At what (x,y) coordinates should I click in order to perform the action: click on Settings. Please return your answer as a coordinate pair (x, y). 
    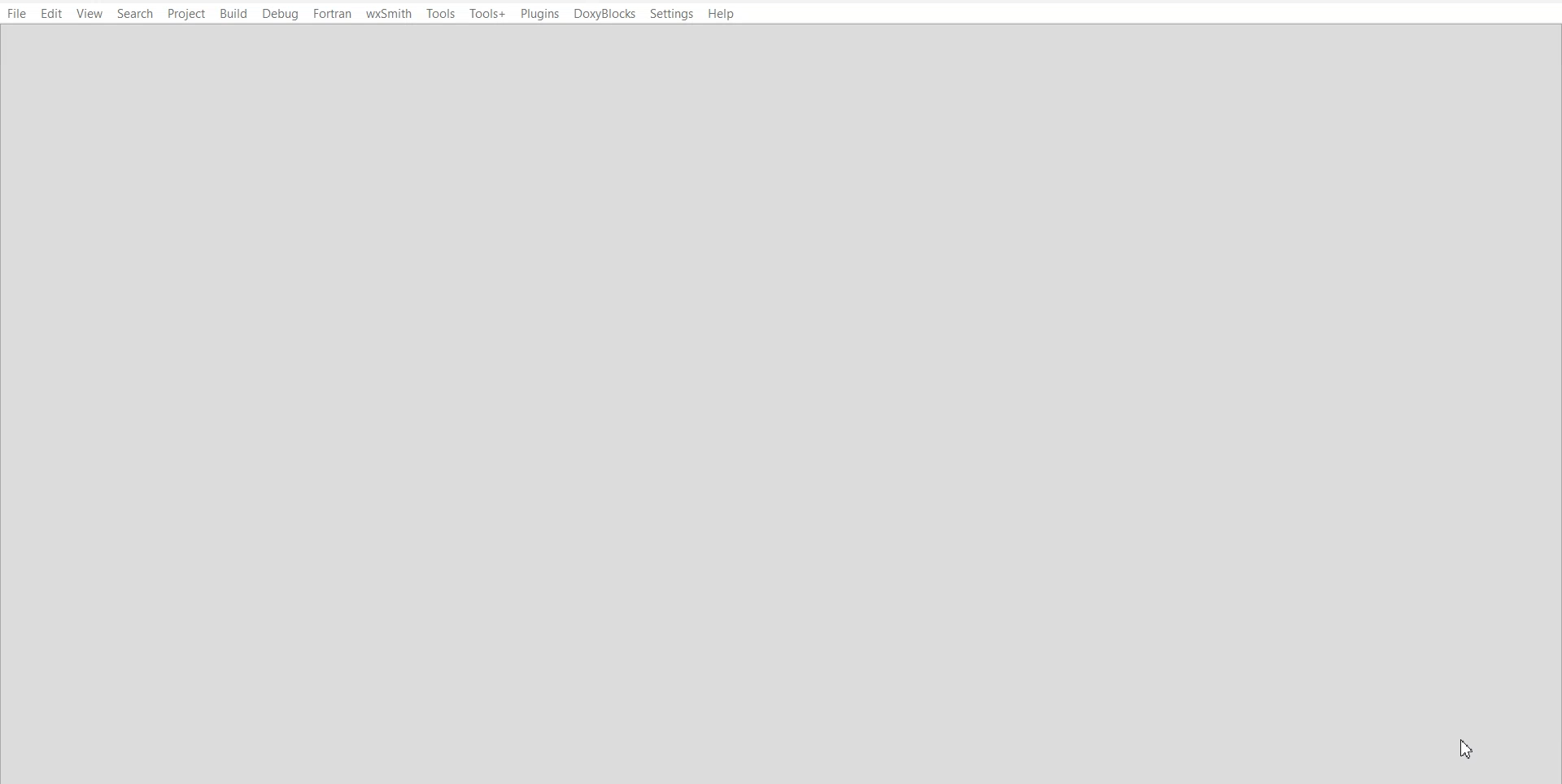
    Looking at the image, I should click on (671, 13).